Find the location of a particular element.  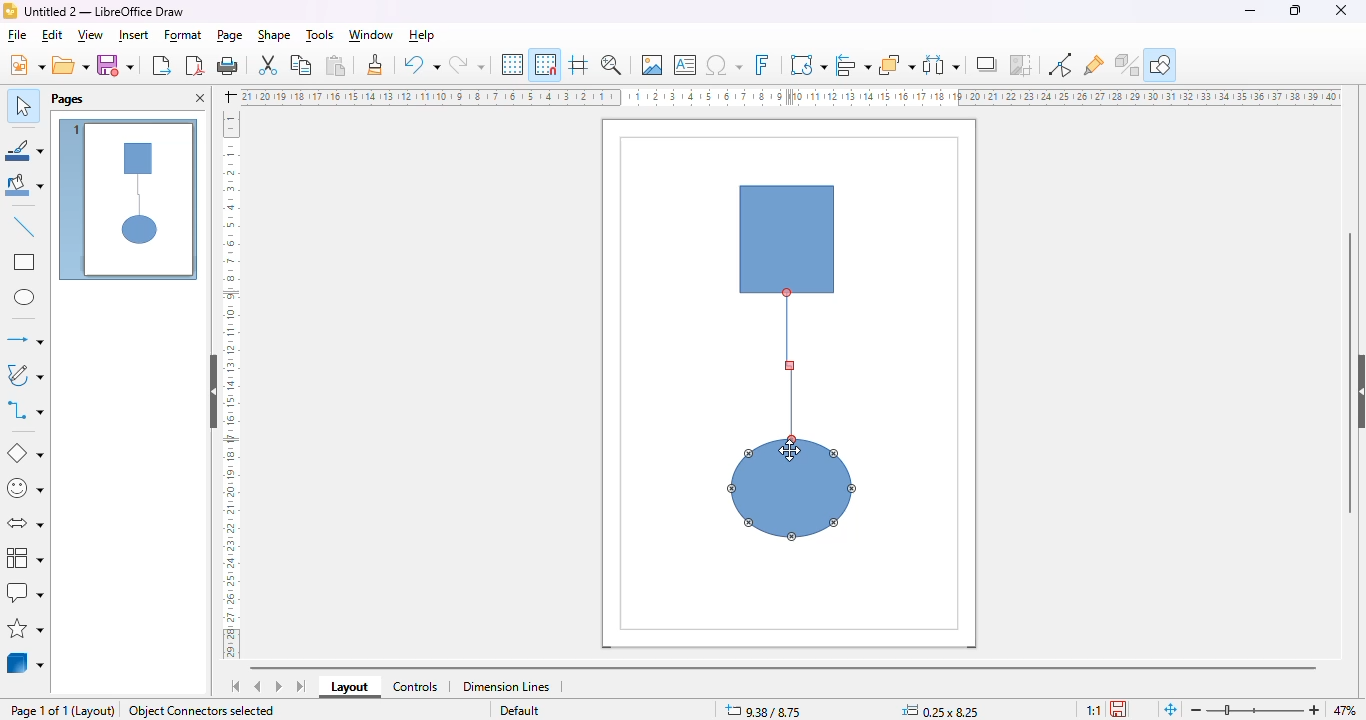

show gluepoint functions is located at coordinates (1059, 65).